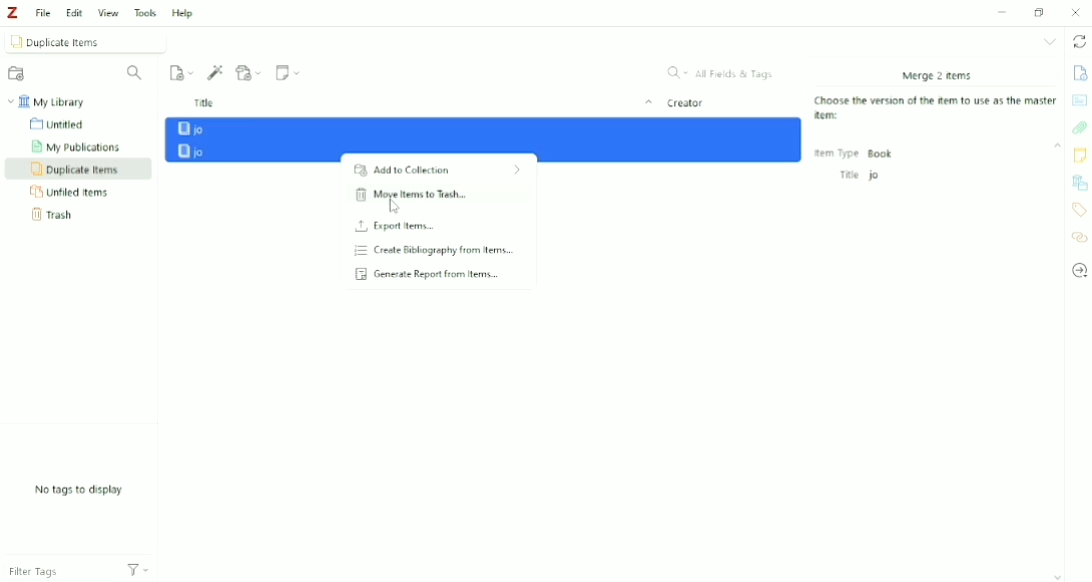  Describe the element at coordinates (139, 571) in the screenshot. I see `Actions` at that location.